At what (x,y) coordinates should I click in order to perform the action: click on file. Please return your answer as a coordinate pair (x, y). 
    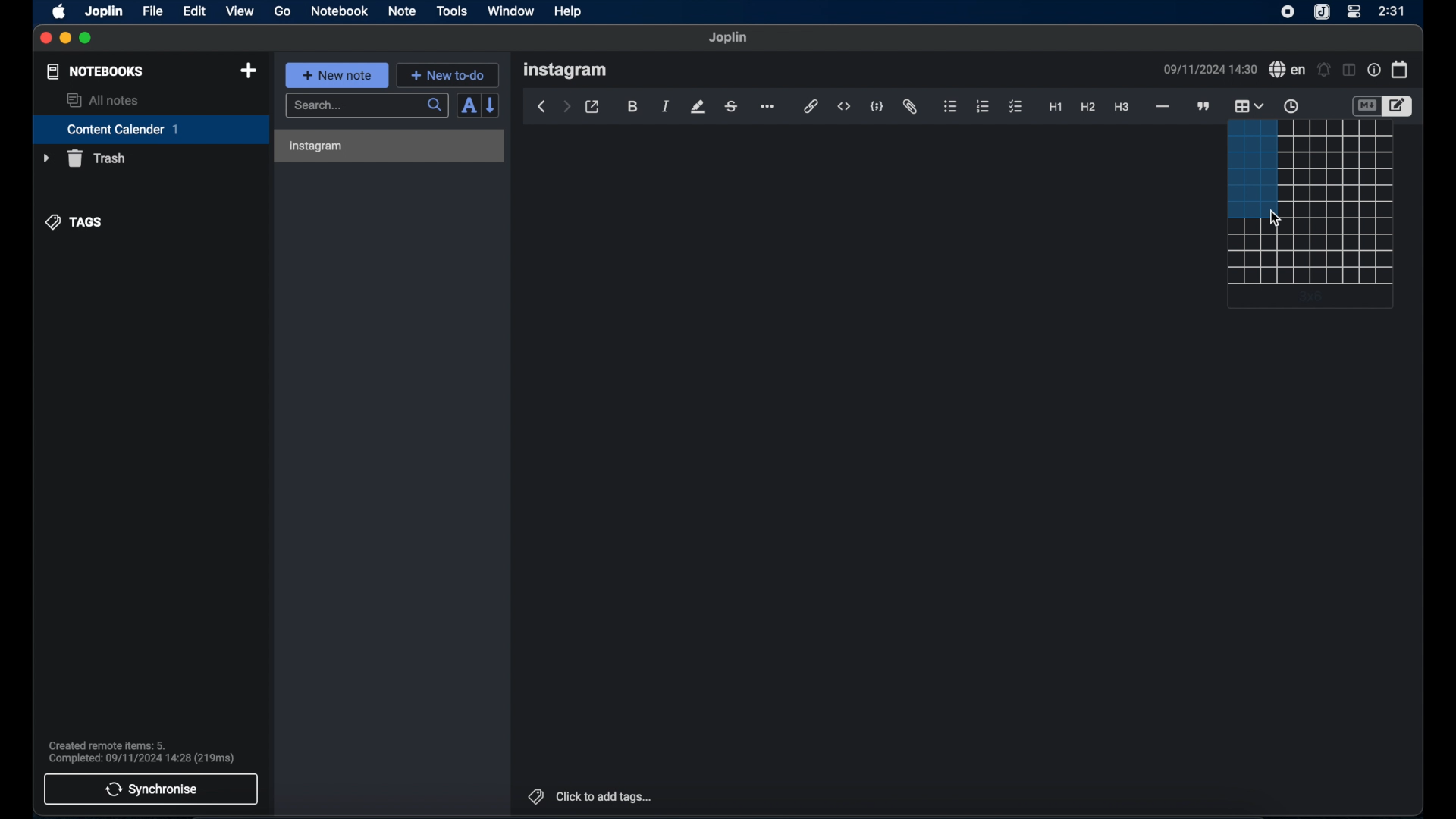
    Looking at the image, I should click on (154, 11).